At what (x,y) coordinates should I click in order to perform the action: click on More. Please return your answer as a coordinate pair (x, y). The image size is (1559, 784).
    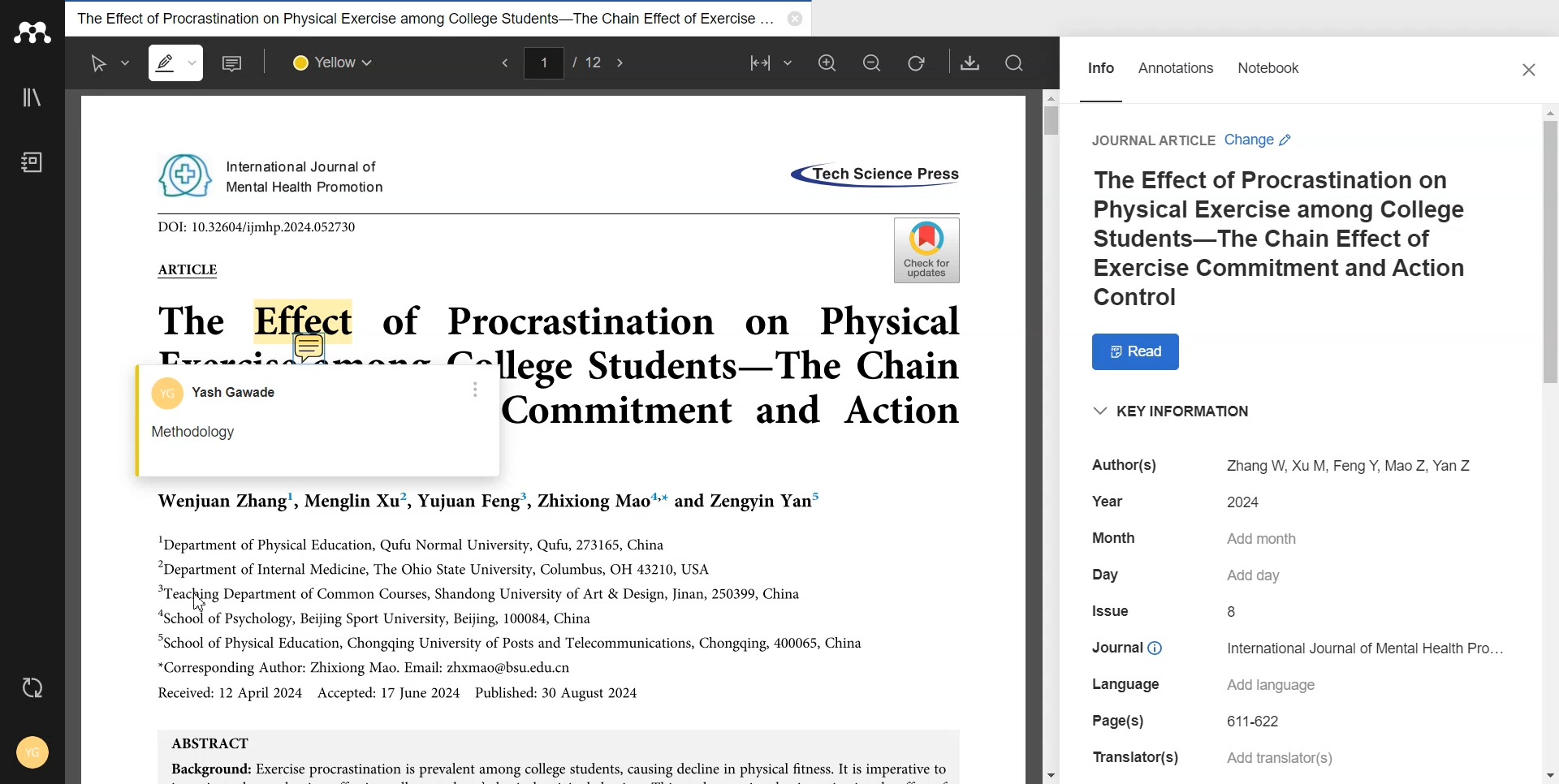
    Looking at the image, I should click on (473, 389).